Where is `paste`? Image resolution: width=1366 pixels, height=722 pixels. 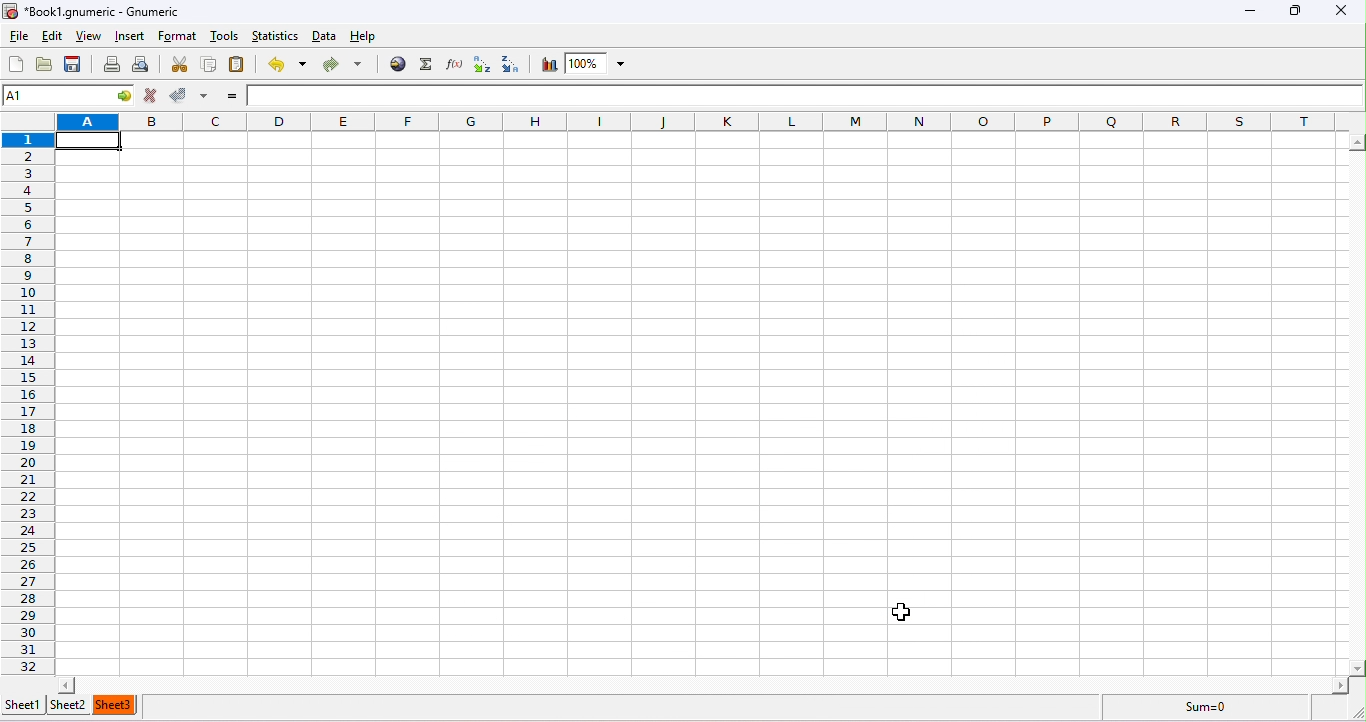
paste is located at coordinates (241, 67).